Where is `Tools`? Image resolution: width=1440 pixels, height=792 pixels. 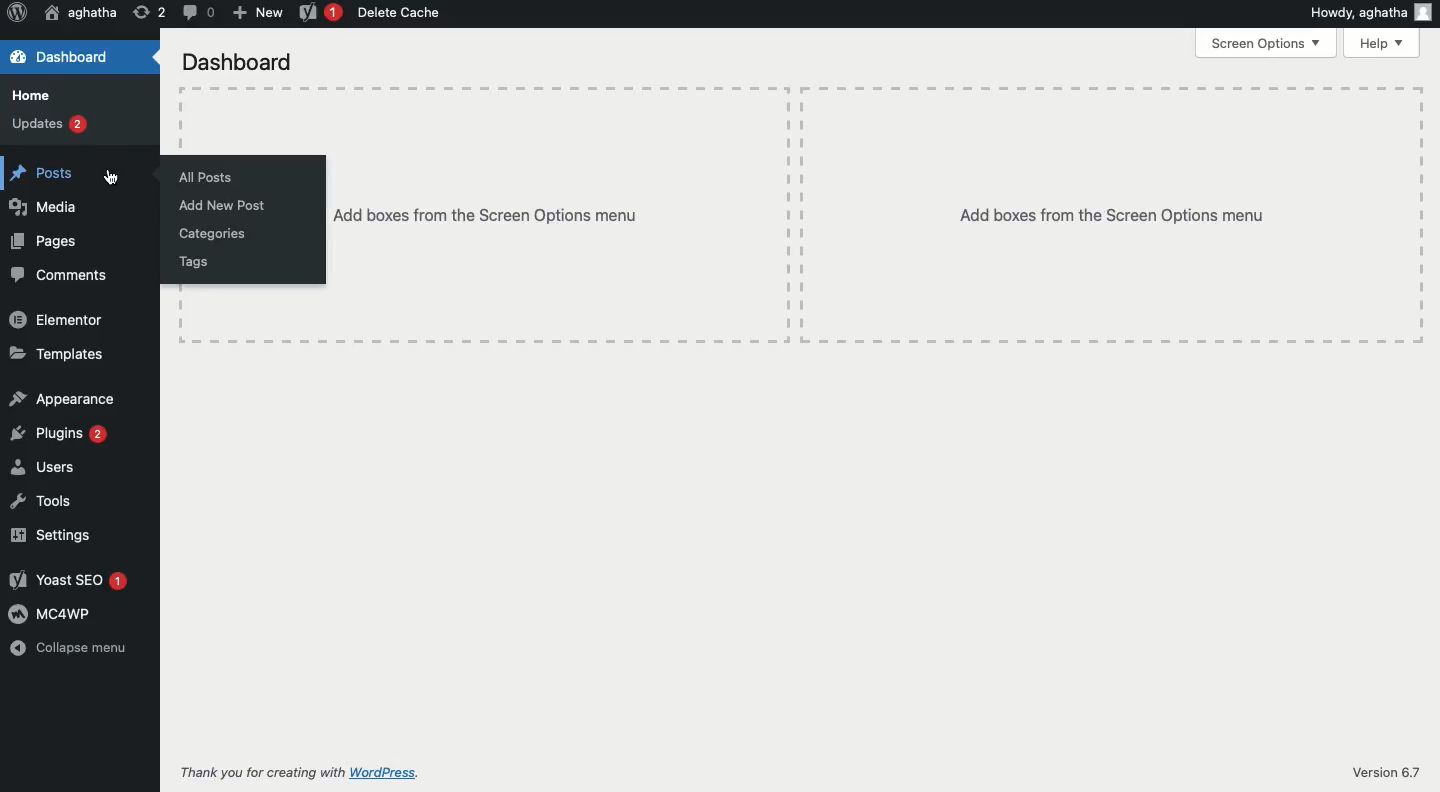
Tools is located at coordinates (40, 501).